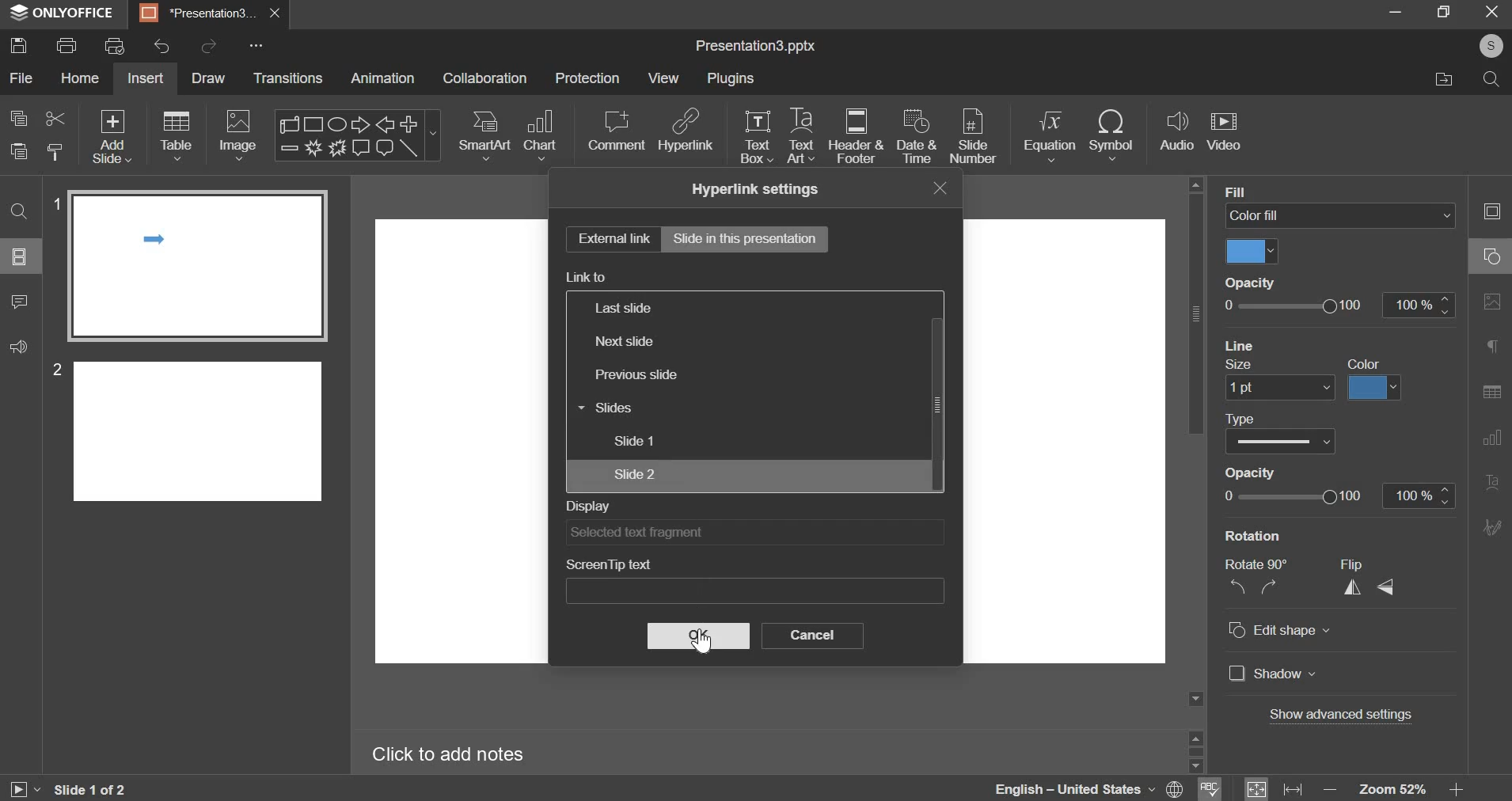  Describe the element at coordinates (1488, 46) in the screenshot. I see `account holder` at that location.